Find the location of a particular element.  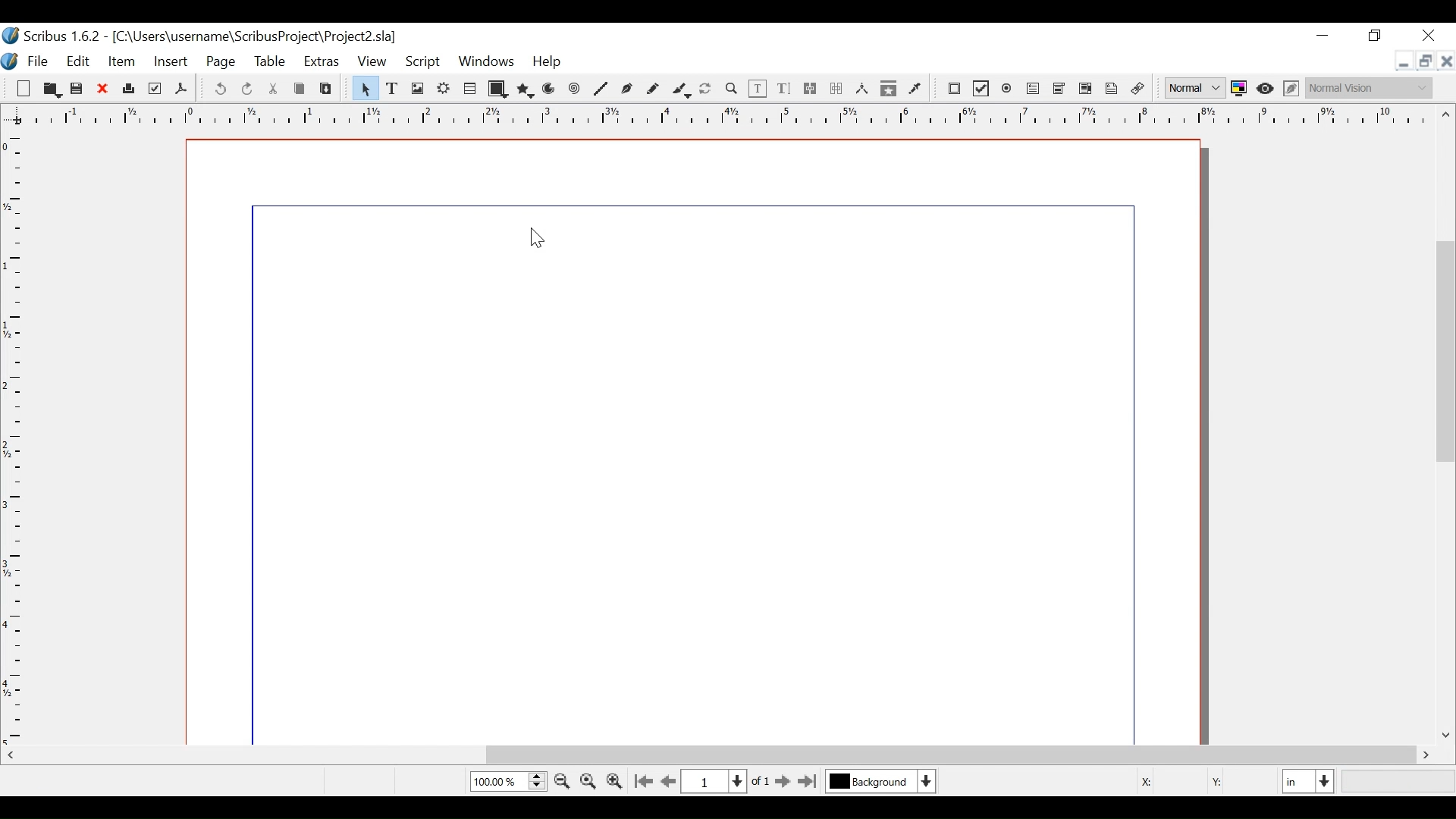

Restore is located at coordinates (1423, 60).